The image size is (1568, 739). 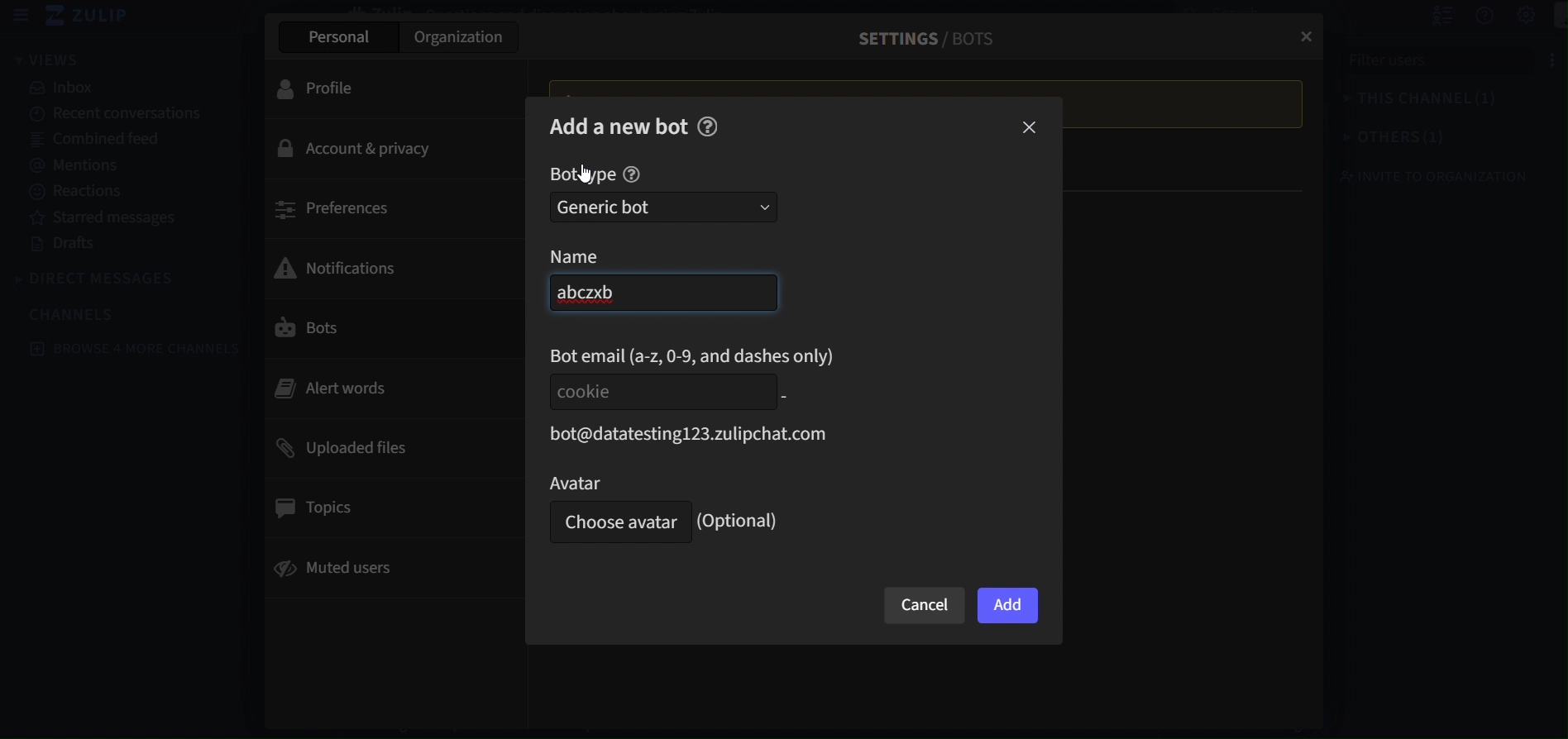 What do you see at coordinates (392, 571) in the screenshot?
I see `muted users` at bounding box center [392, 571].